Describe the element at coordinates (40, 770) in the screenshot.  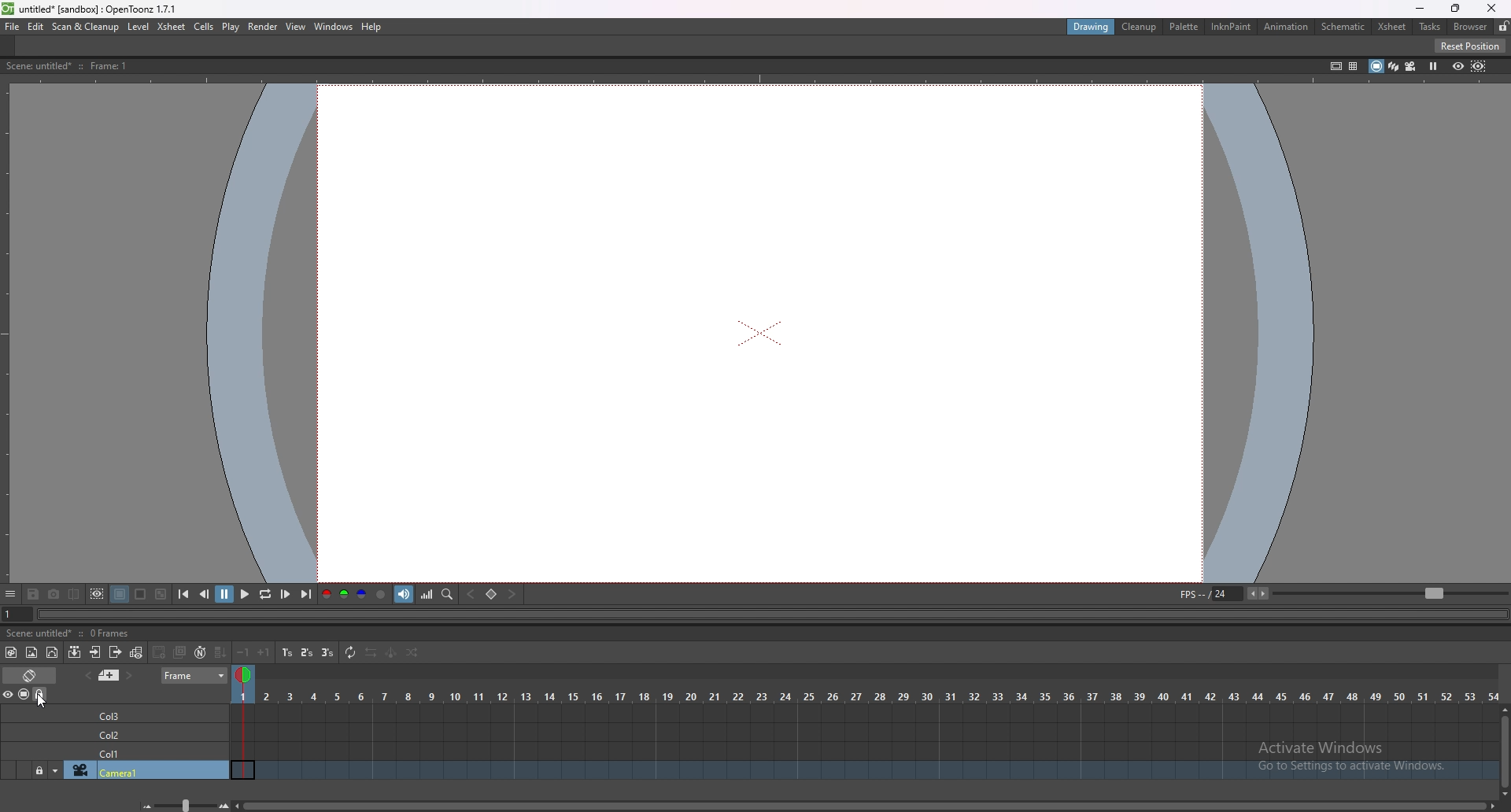
I see `locked timeline` at that location.